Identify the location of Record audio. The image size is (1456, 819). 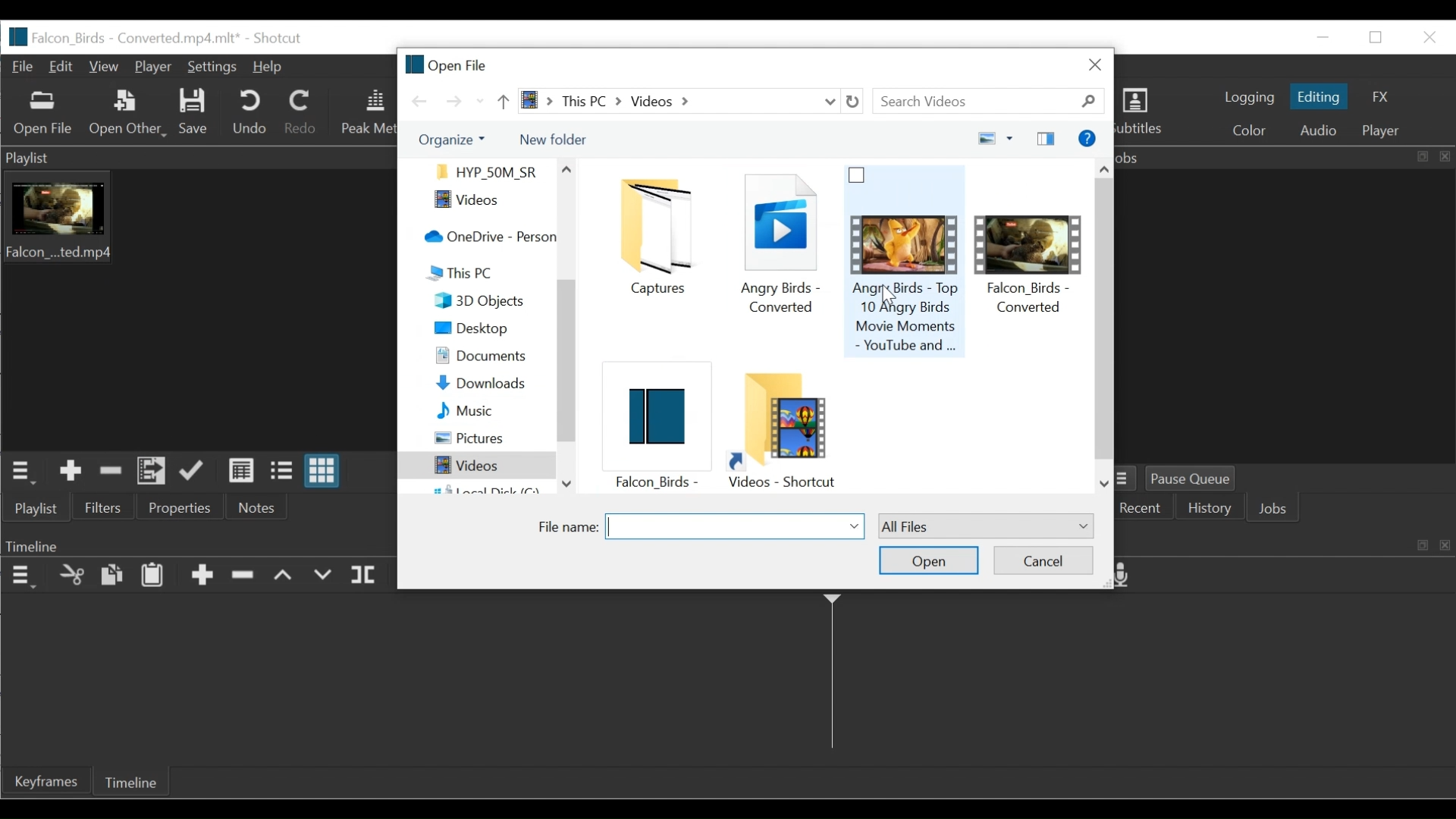
(1128, 576).